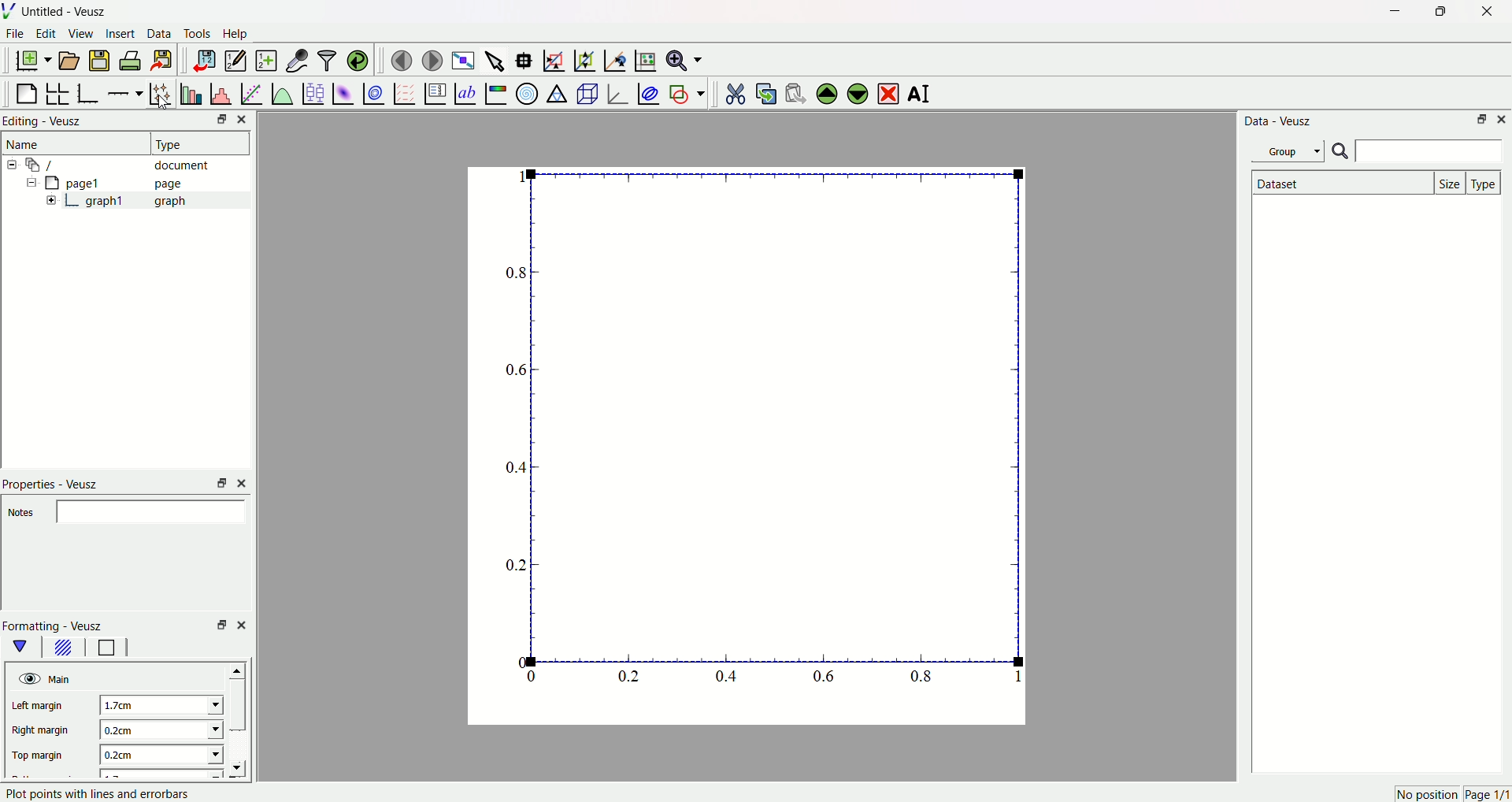 This screenshot has width=1512, height=802. I want to click on Data - Veusz, so click(1280, 122).